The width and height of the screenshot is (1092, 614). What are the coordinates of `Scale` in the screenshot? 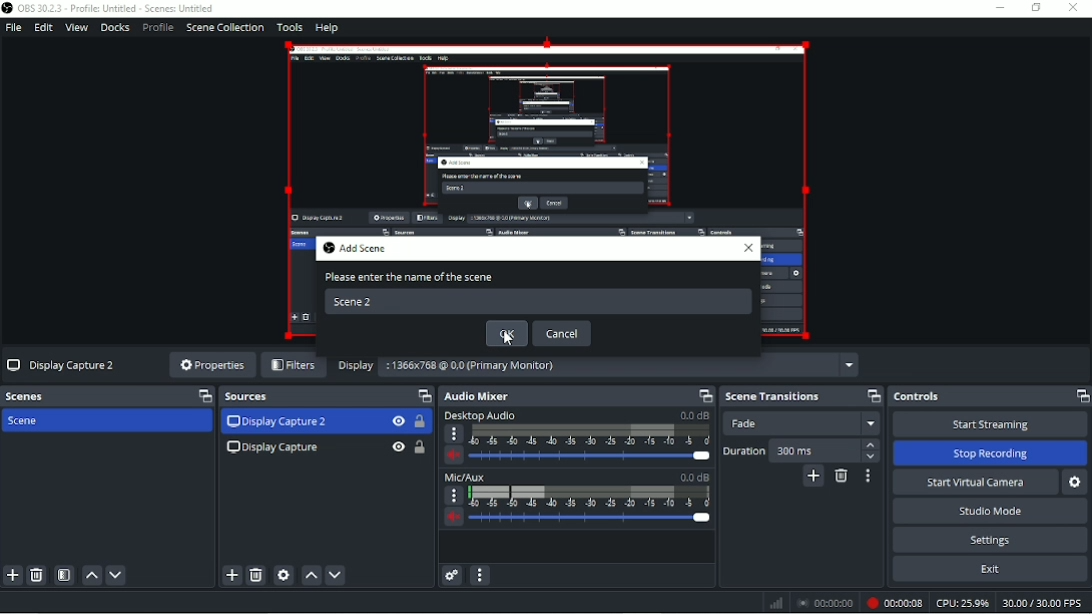 It's located at (590, 497).